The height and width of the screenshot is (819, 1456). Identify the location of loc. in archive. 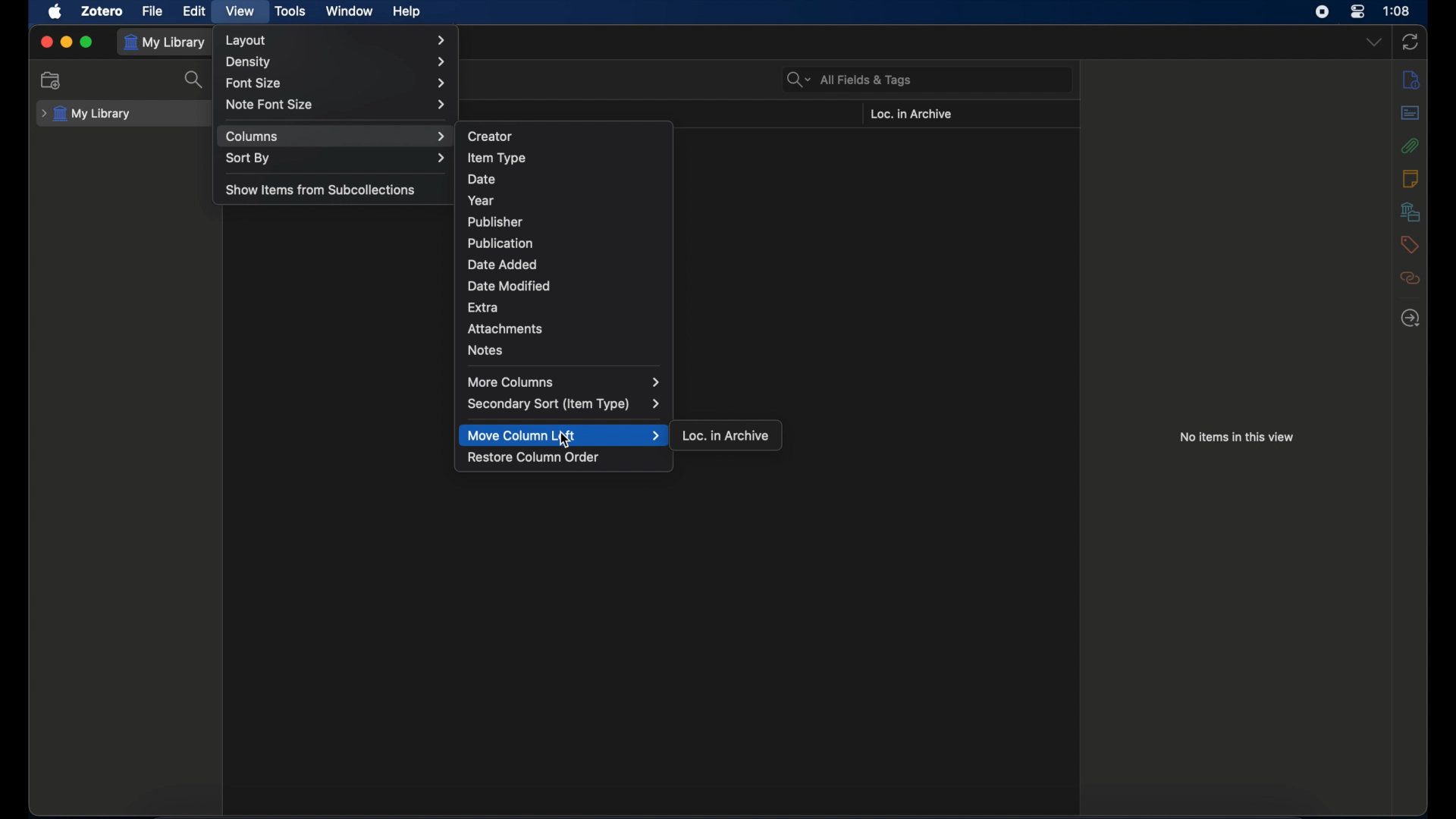
(910, 115).